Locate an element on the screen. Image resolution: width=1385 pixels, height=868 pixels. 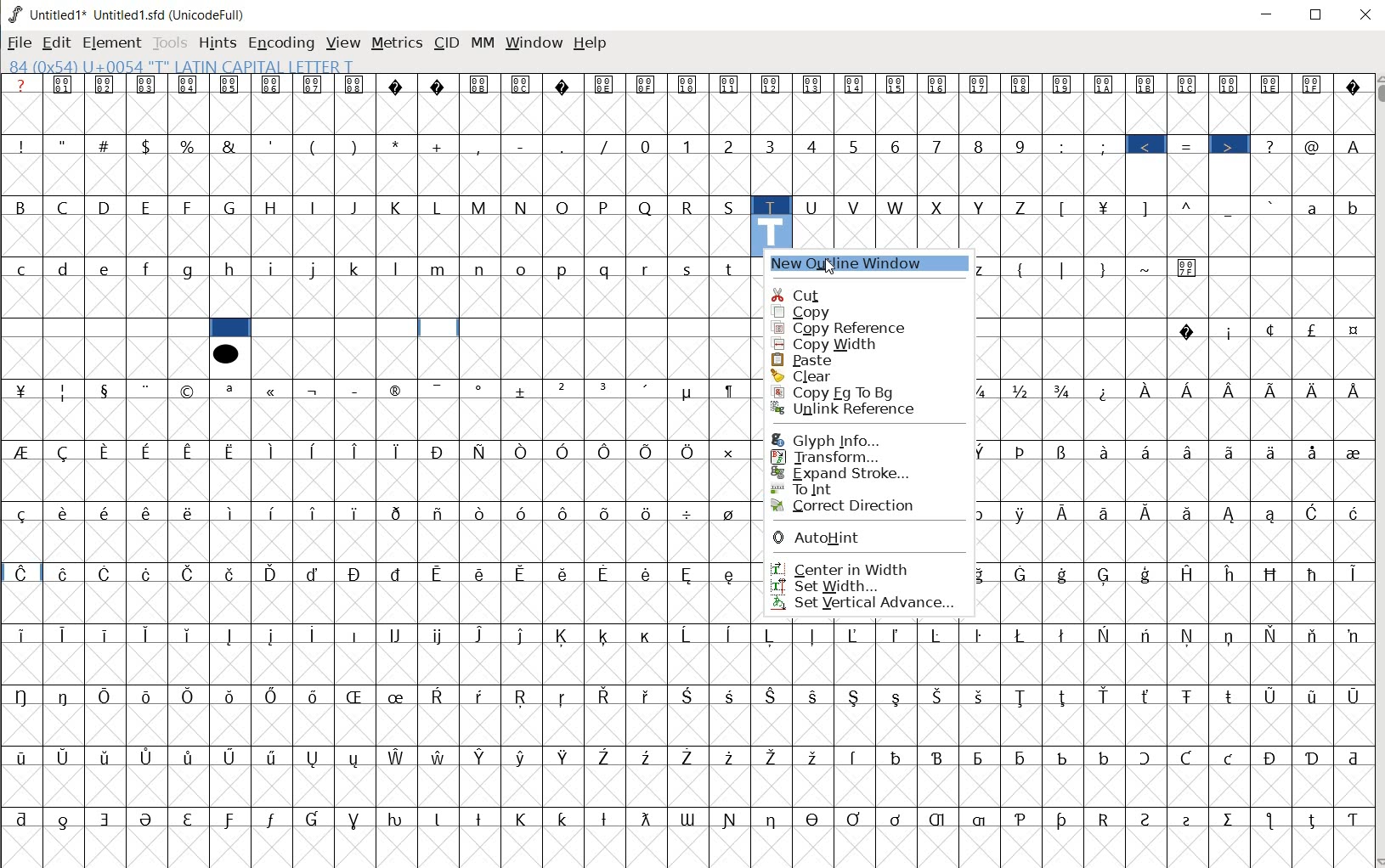
Symbol is located at coordinates (106, 695).